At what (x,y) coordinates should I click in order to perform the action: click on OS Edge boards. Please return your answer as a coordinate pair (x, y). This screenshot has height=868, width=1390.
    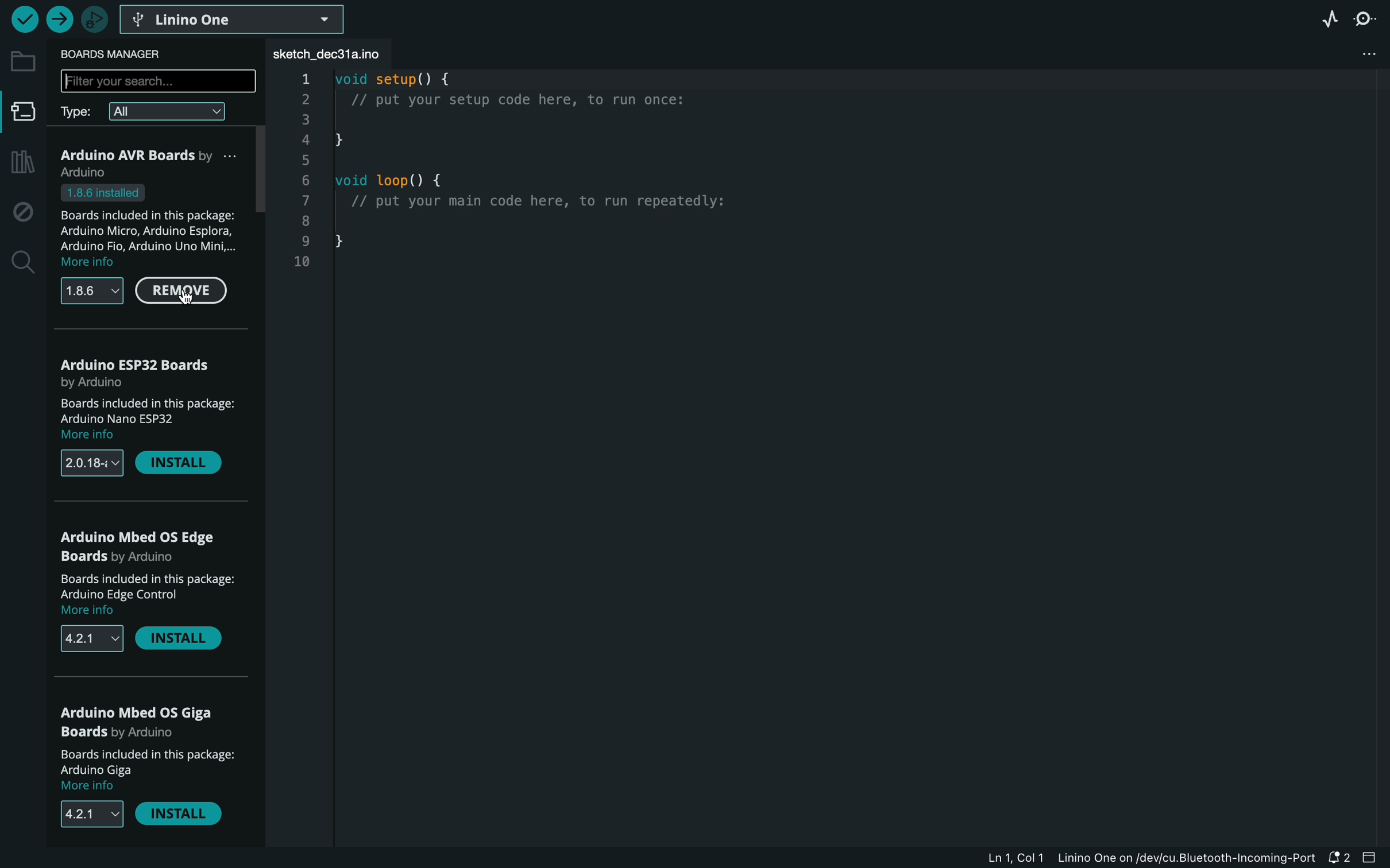
    Looking at the image, I should click on (140, 548).